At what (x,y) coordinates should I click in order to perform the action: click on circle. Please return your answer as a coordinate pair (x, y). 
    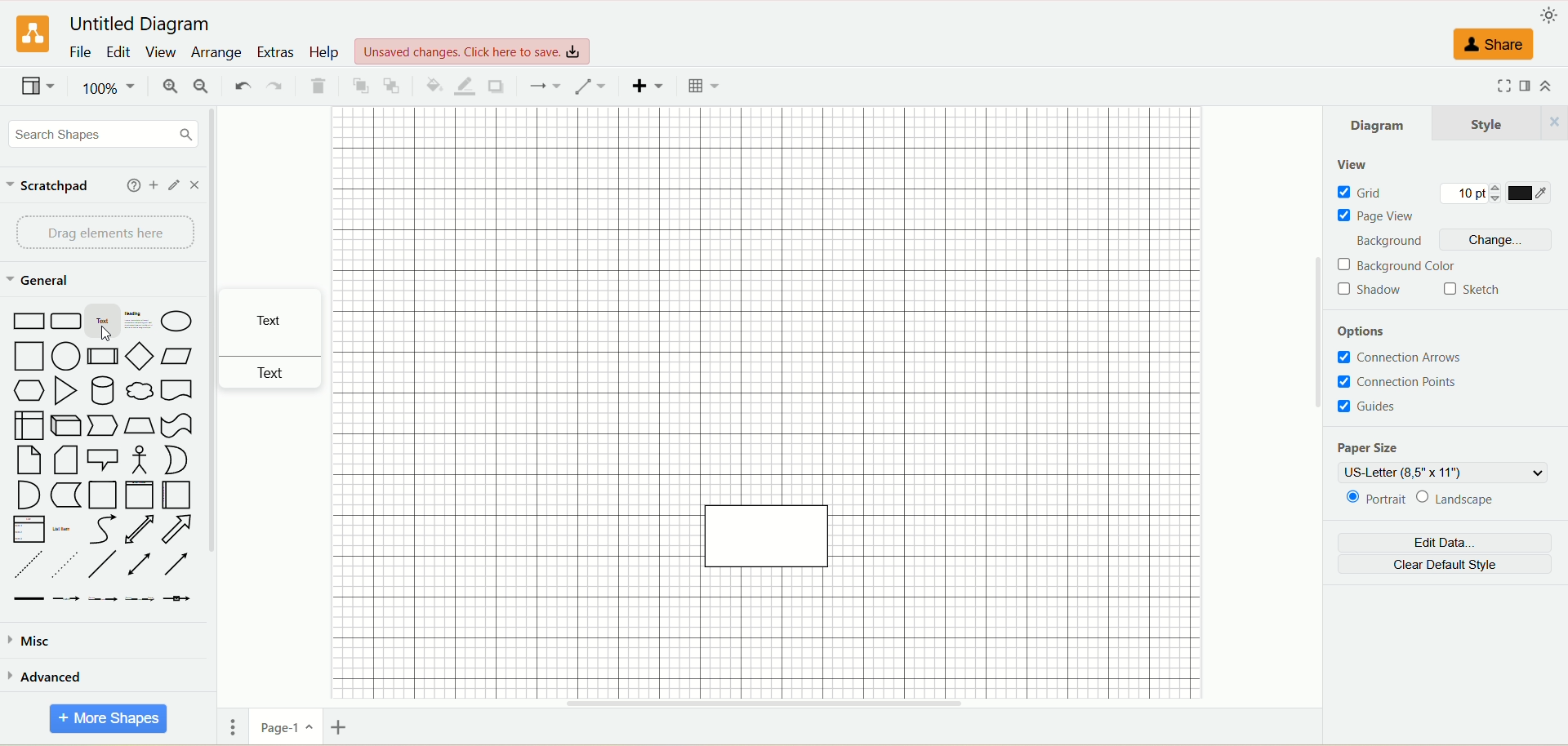
    Looking at the image, I should click on (66, 356).